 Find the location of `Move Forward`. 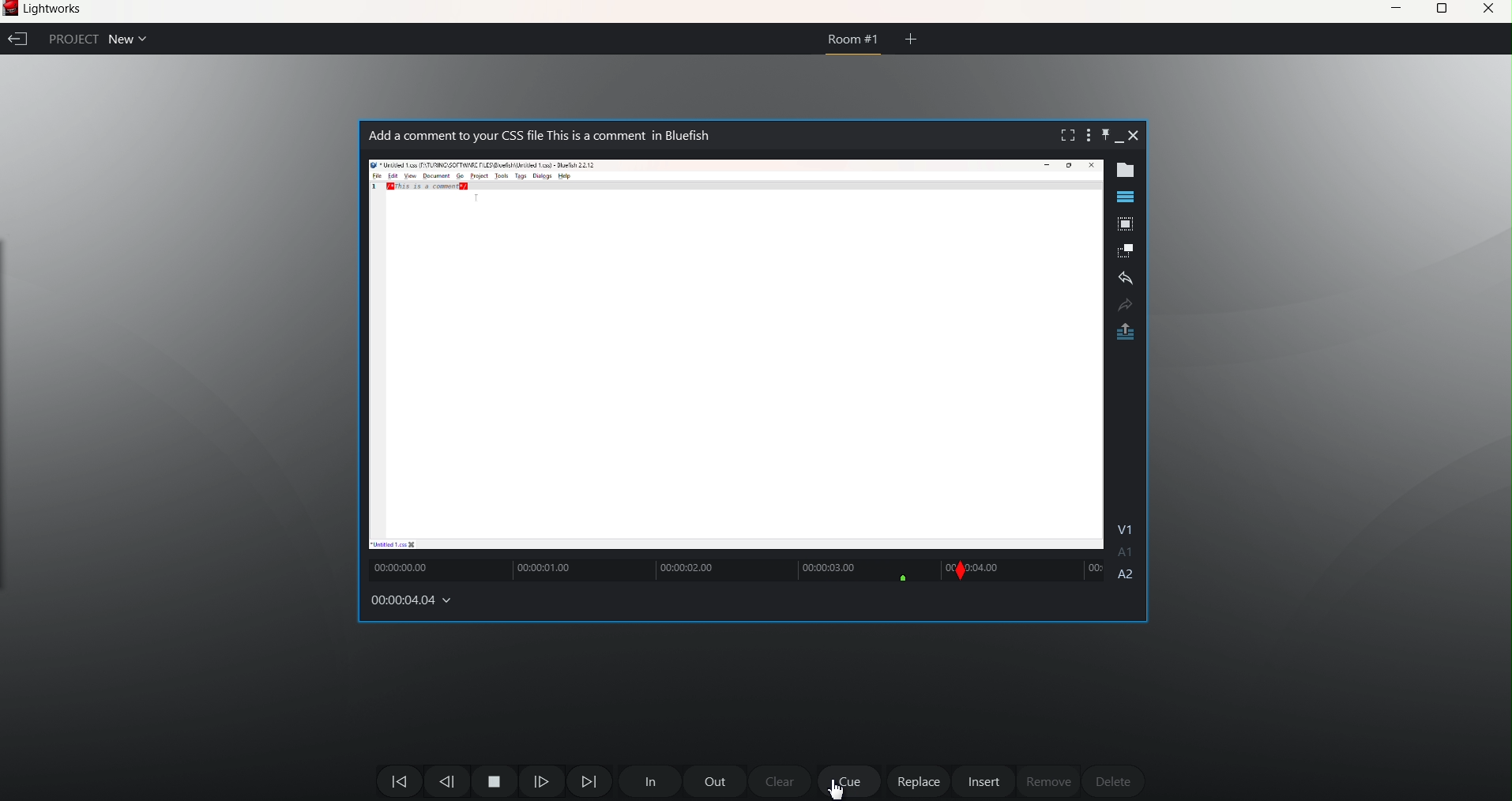

Move Forward is located at coordinates (589, 781).